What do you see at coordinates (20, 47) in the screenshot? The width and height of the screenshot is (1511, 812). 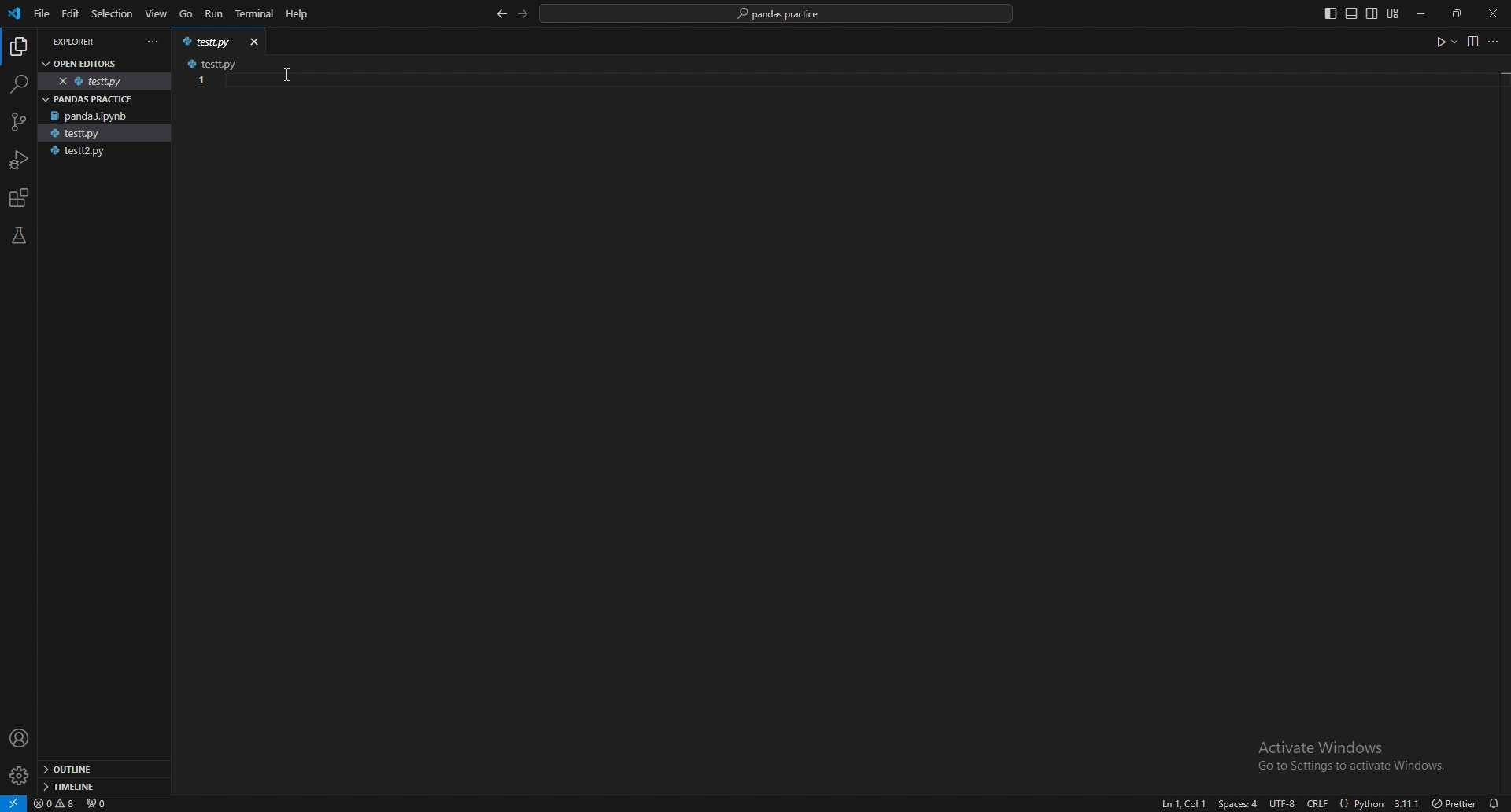 I see `explorer` at bounding box center [20, 47].